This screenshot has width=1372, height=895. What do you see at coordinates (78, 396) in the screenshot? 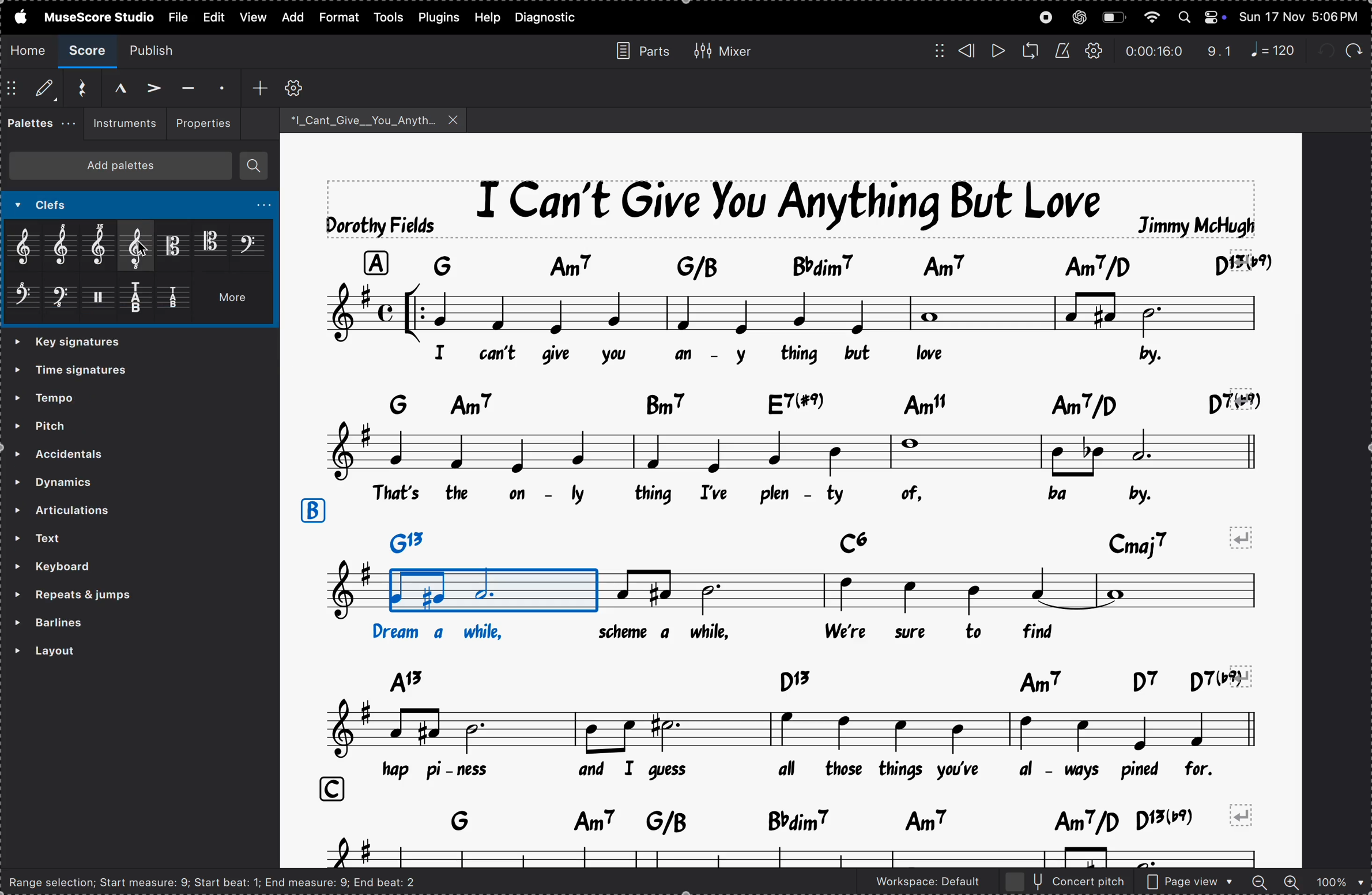
I see `tempo` at bounding box center [78, 396].